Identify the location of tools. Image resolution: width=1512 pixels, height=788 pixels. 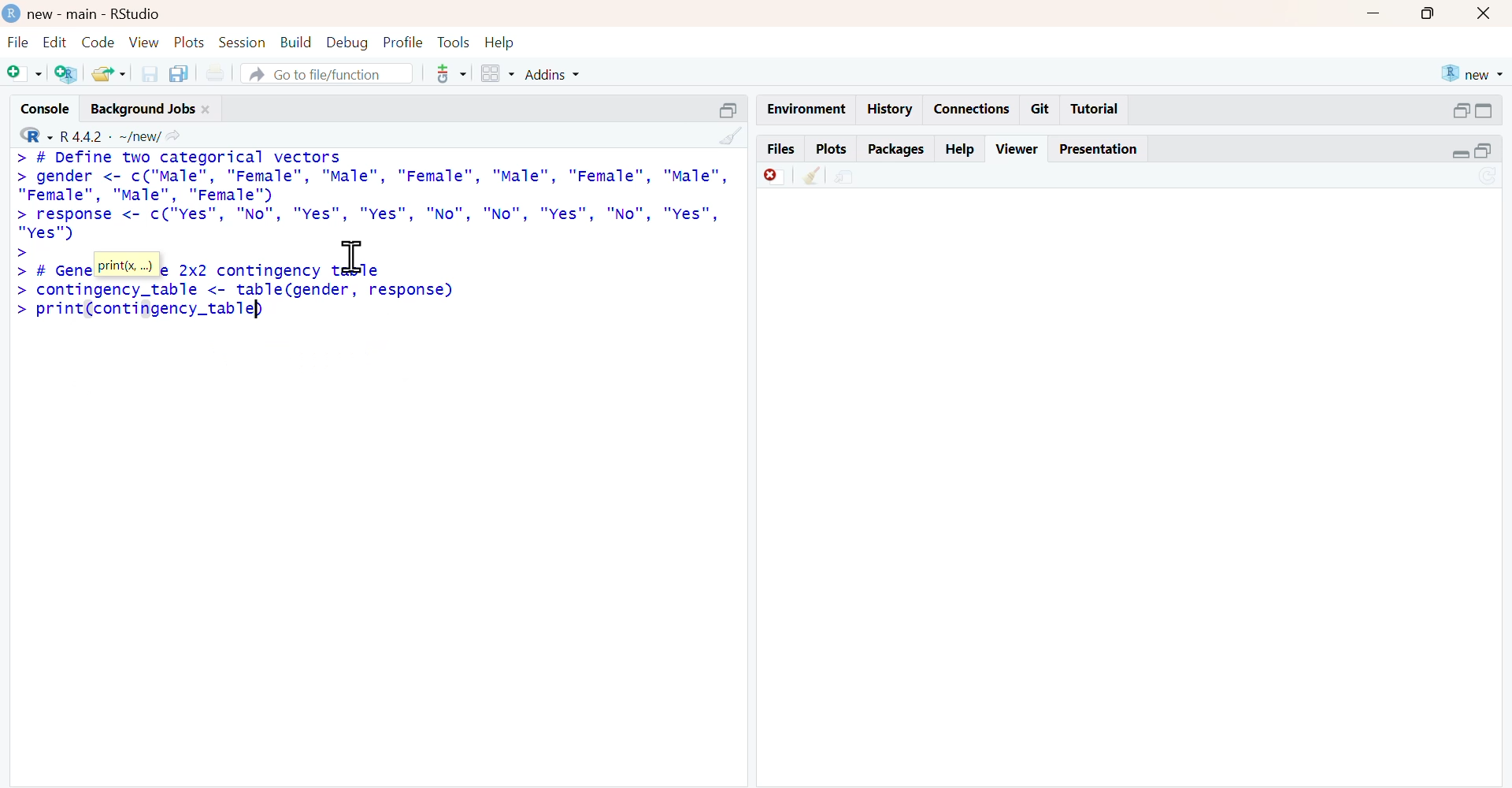
(453, 74).